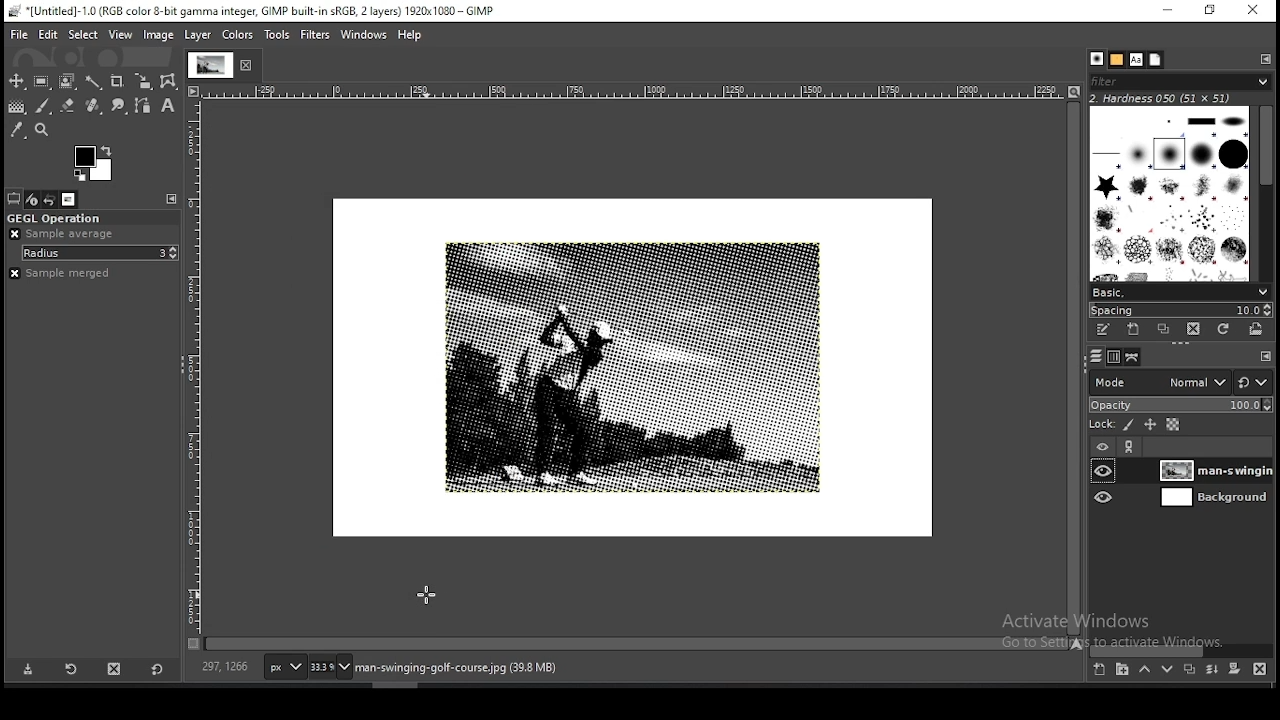 Image resolution: width=1280 pixels, height=720 pixels. I want to click on fuzzy selection tool, so click(93, 83).